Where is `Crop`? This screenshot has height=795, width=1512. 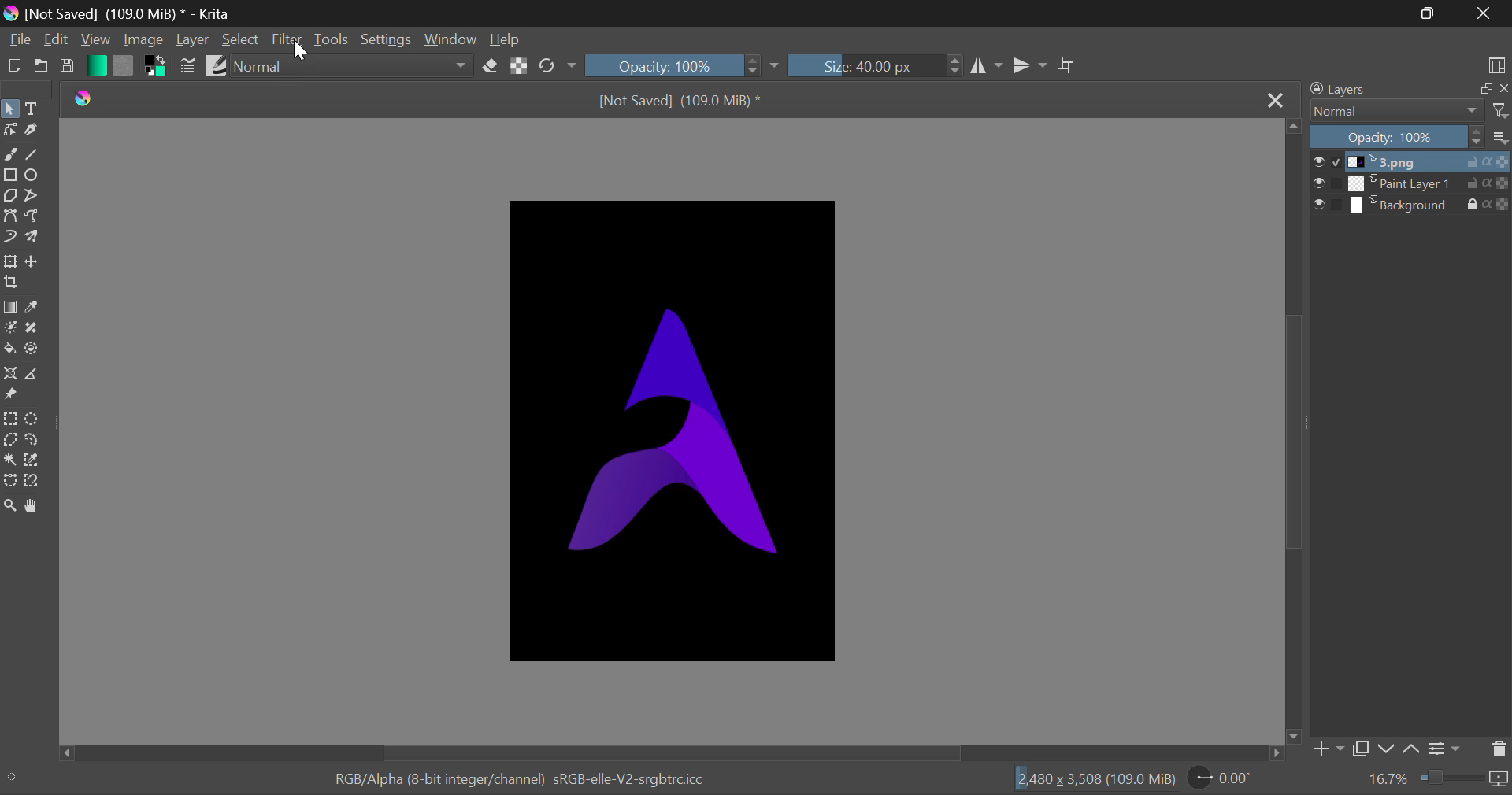 Crop is located at coordinates (1067, 66).